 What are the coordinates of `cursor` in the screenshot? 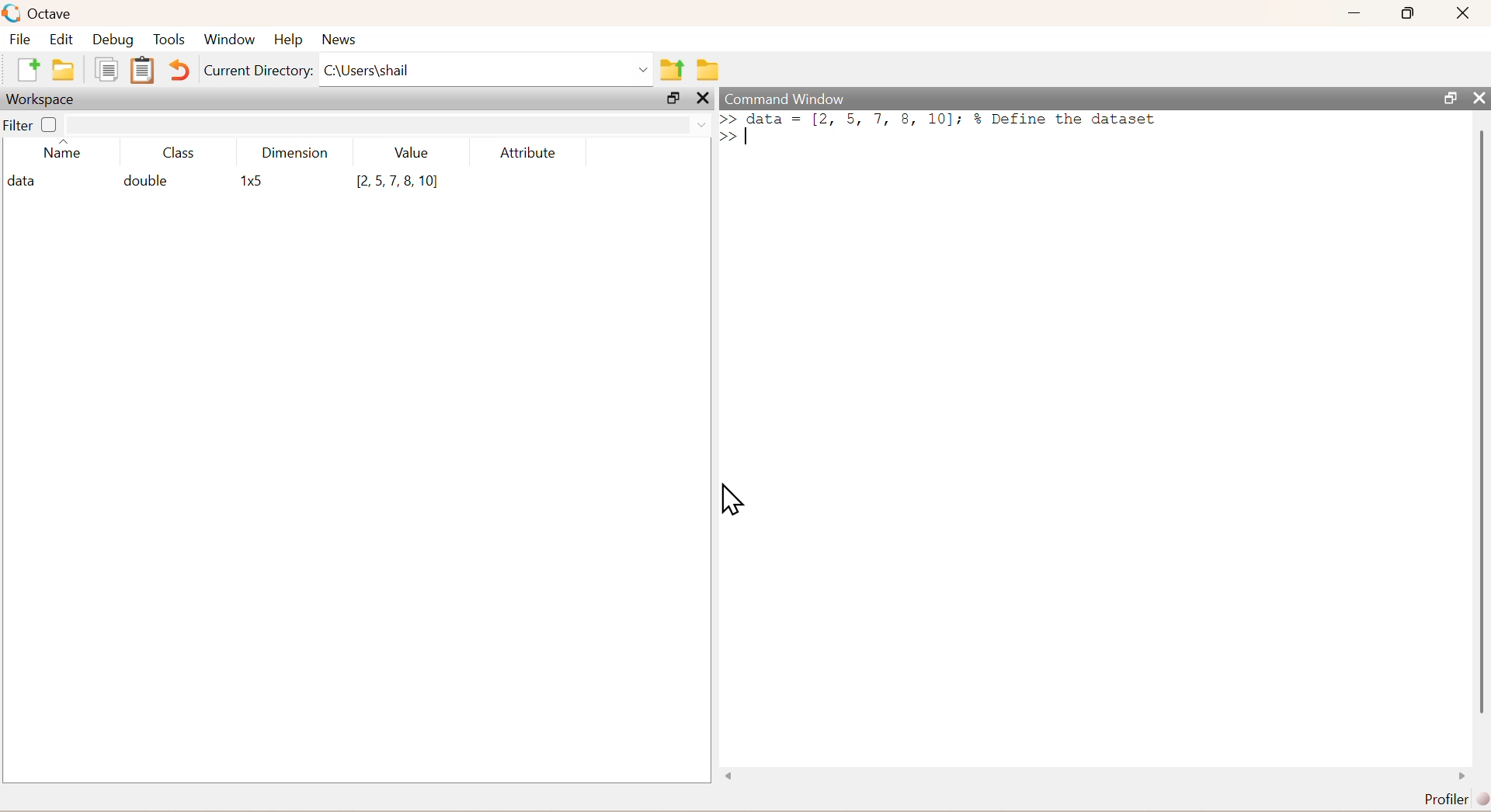 It's located at (732, 499).